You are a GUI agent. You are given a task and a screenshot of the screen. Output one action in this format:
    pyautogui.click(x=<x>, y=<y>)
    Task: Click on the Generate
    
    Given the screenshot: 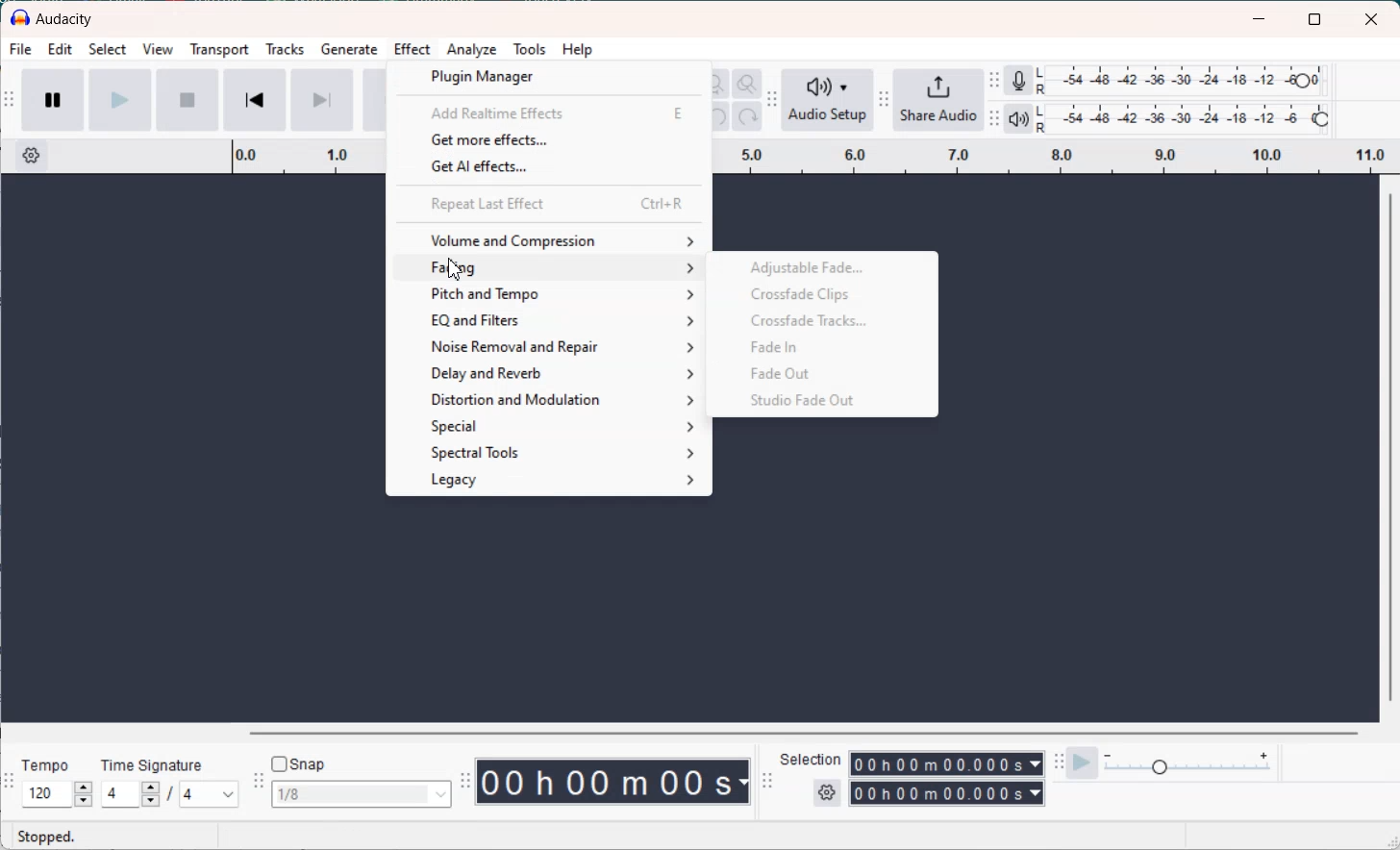 What is the action you would take?
    pyautogui.click(x=349, y=51)
    